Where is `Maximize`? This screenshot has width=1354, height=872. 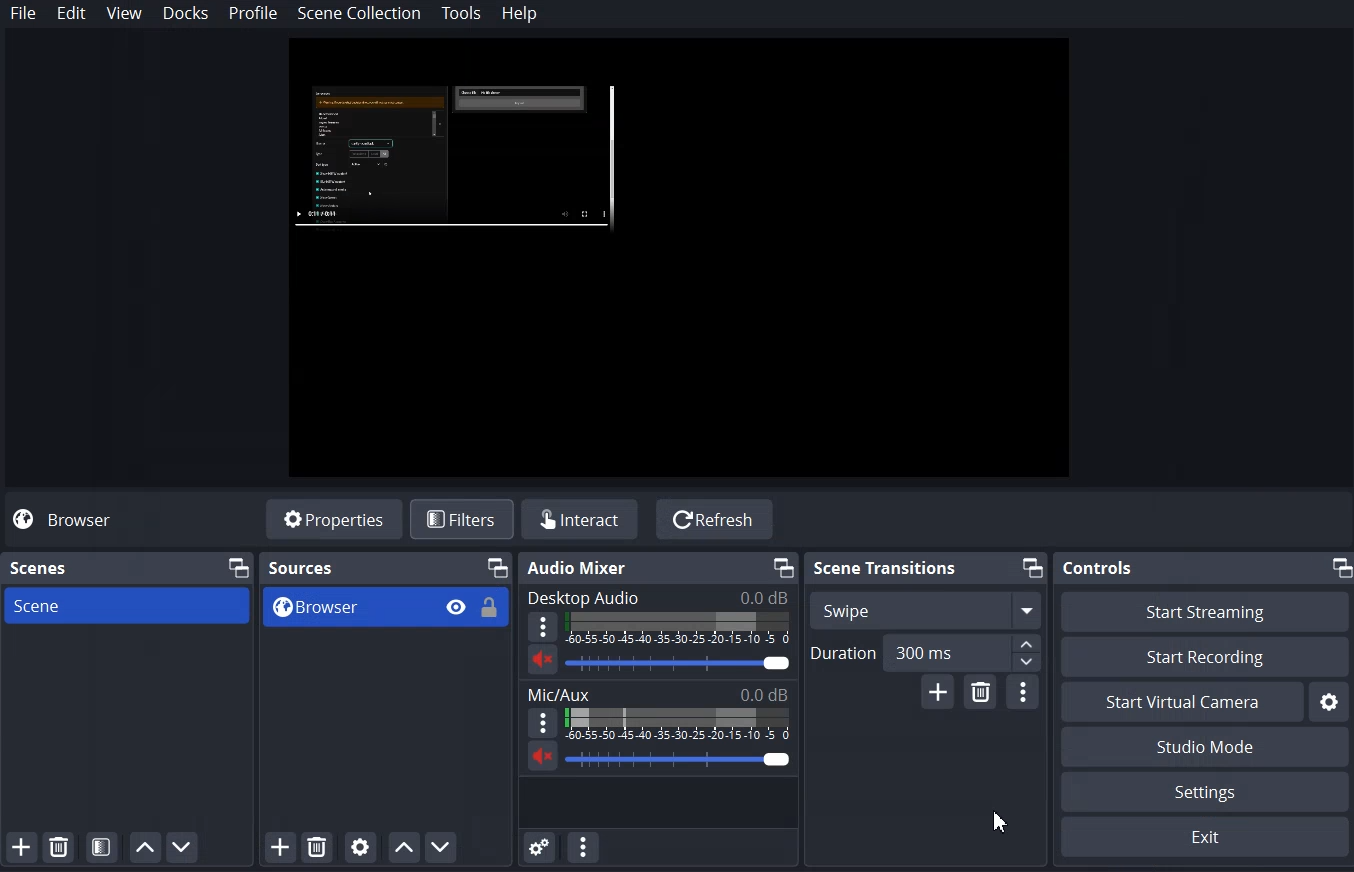 Maximize is located at coordinates (784, 568).